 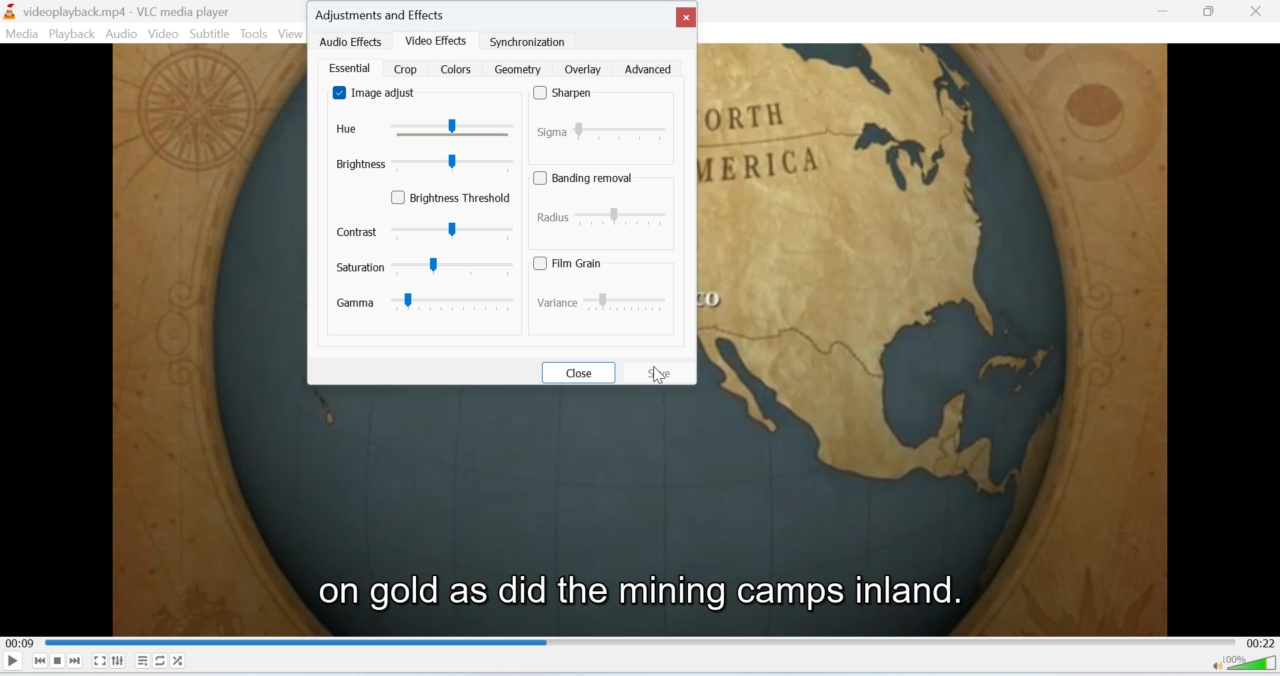 What do you see at coordinates (419, 164) in the screenshot?
I see `brightness` at bounding box center [419, 164].